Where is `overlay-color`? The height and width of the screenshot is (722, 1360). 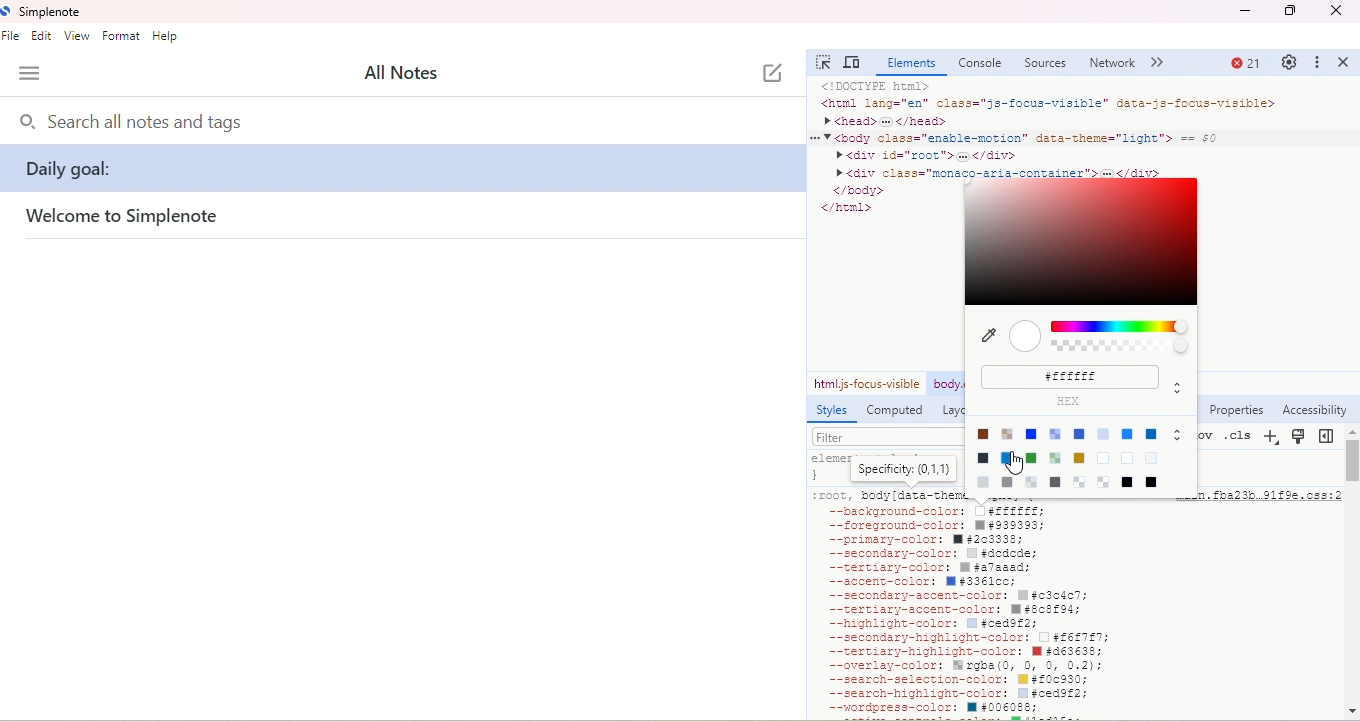
overlay-color is located at coordinates (958, 666).